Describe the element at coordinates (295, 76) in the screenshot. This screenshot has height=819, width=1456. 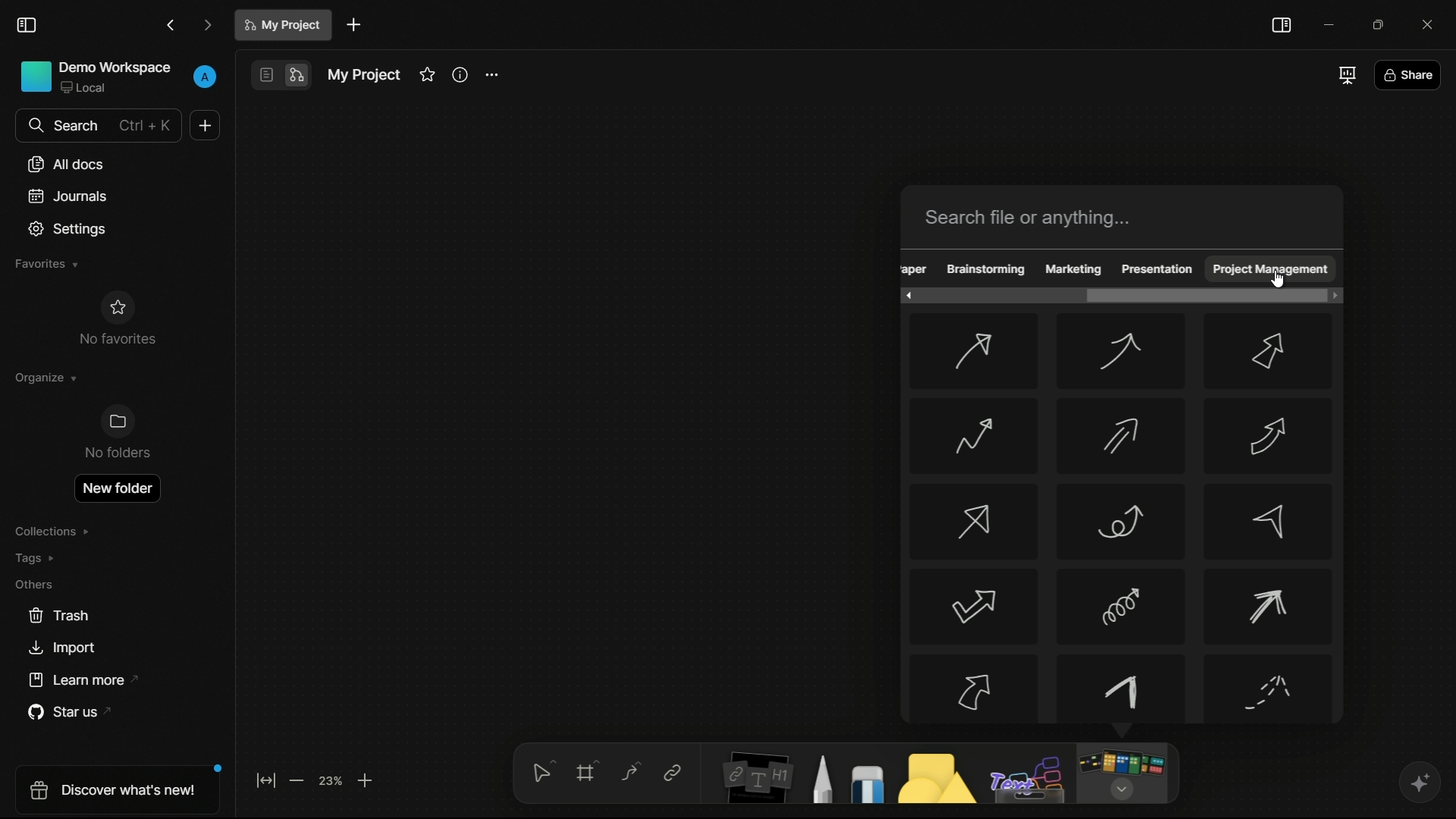
I see `edgeless mode` at that location.